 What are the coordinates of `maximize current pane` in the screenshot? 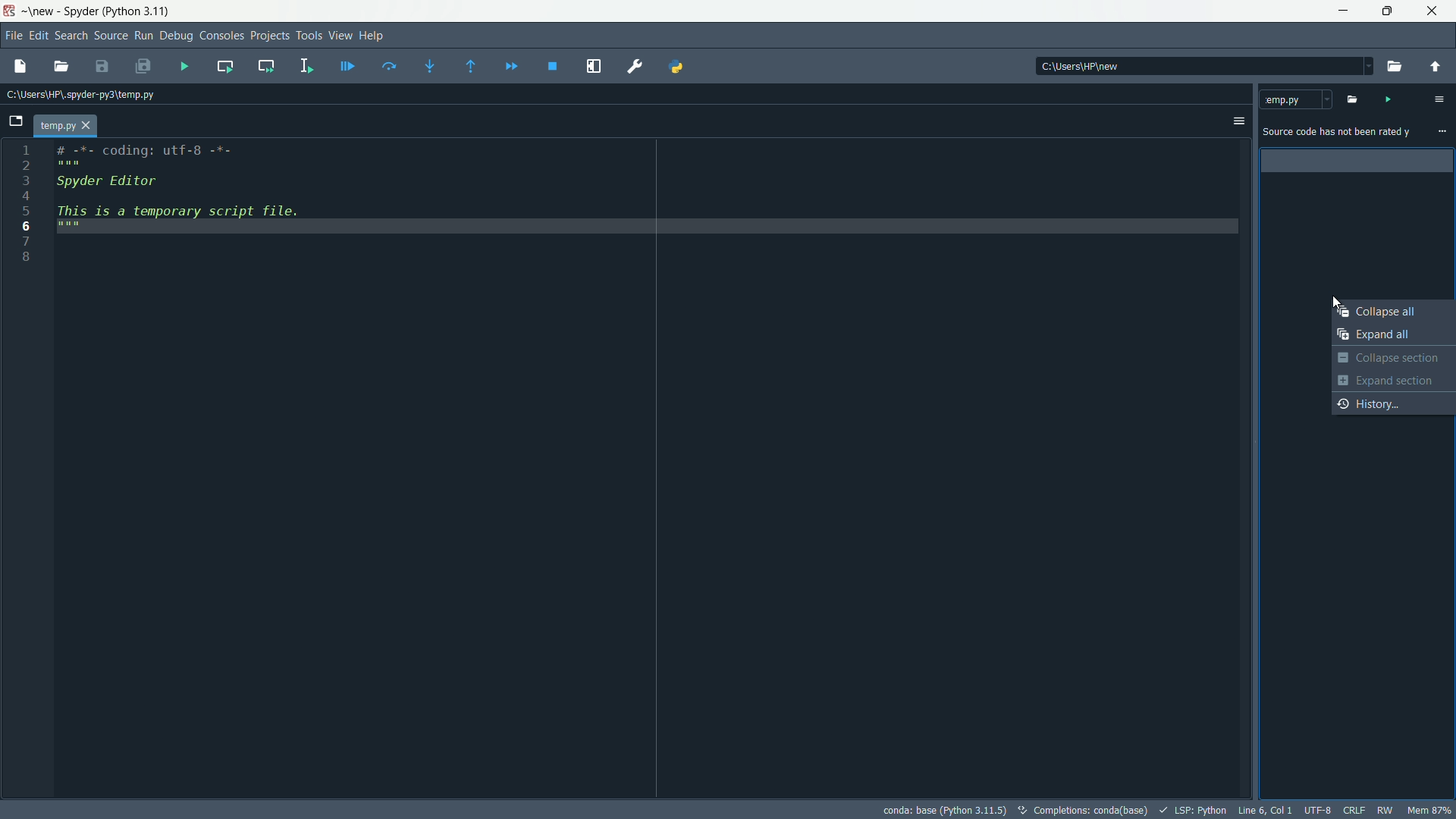 It's located at (595, 66).